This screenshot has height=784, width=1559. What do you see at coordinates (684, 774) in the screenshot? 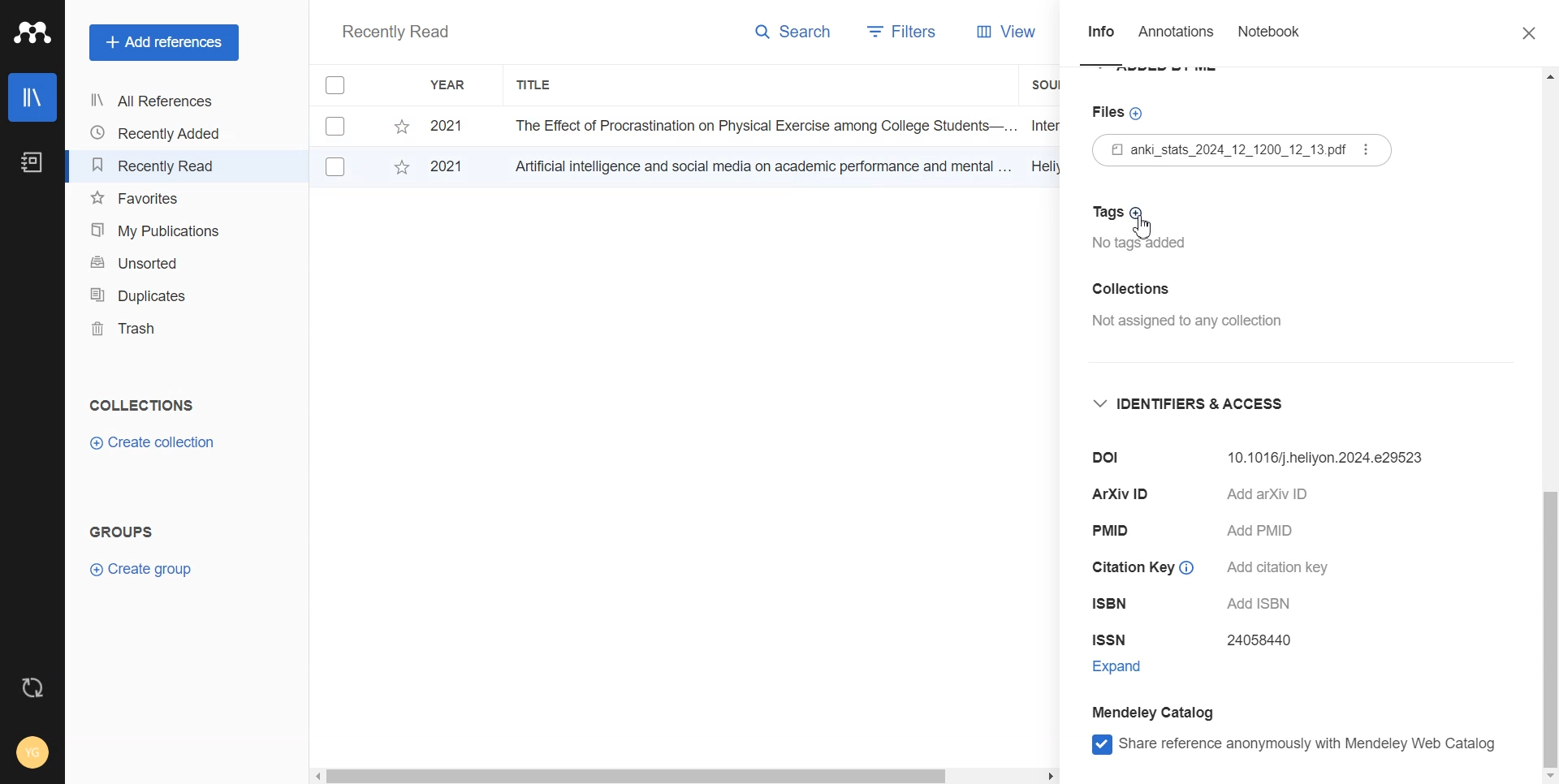
I see `Horizontal scroll bar` at bounding box center [684, 774].